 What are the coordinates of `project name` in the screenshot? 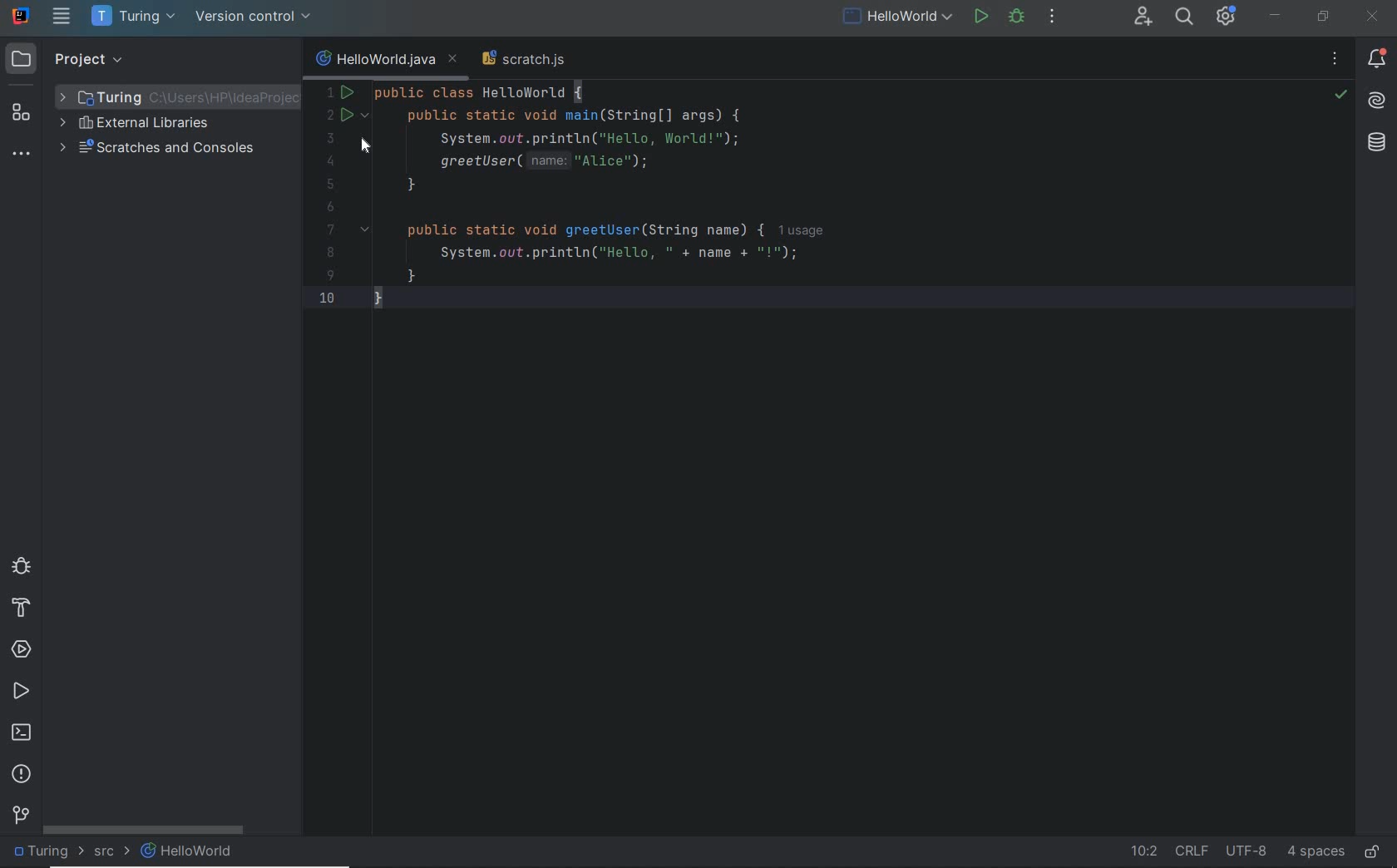 It's located at (133, 18).